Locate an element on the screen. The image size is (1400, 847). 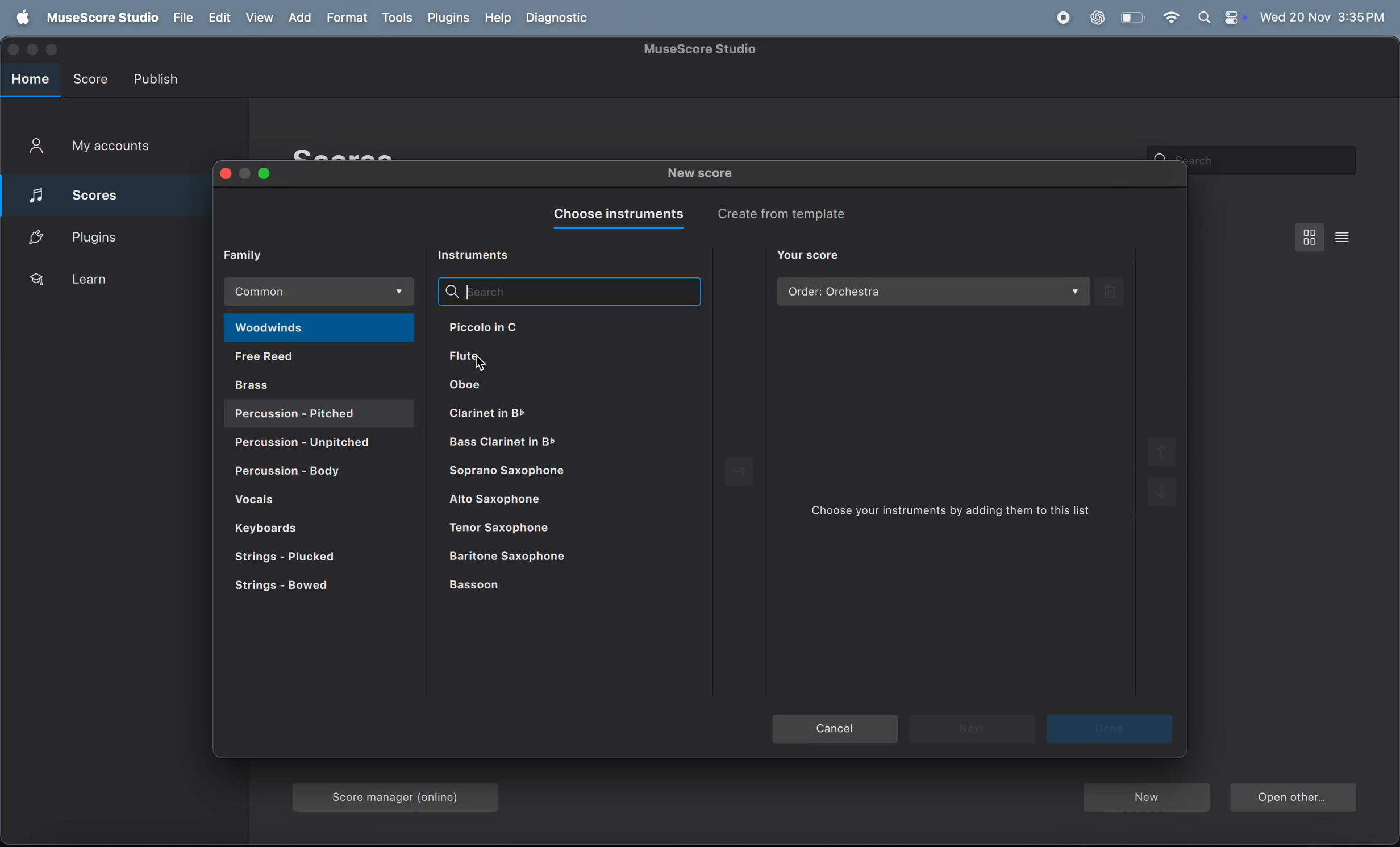
free reed is located at coordinates (317, 359).